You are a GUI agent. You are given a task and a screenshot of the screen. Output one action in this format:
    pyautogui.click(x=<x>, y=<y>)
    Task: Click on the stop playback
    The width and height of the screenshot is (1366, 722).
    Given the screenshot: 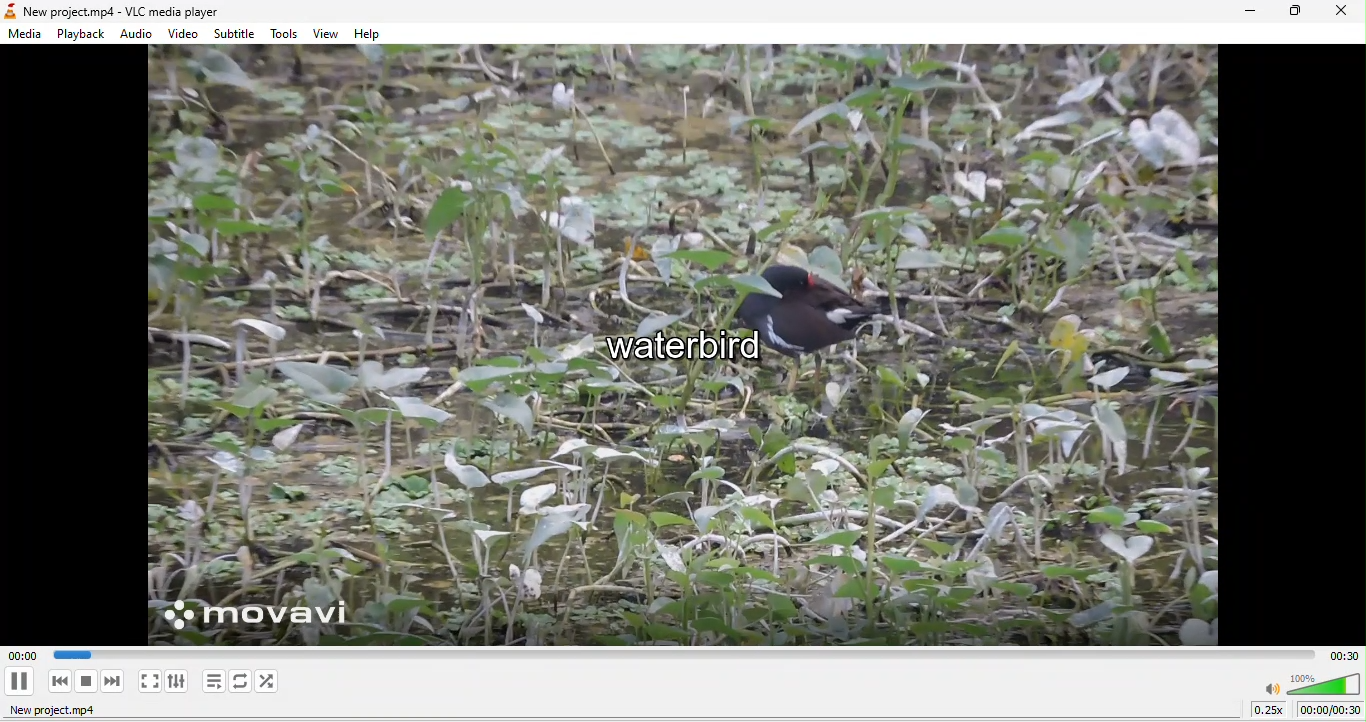 What is the action you would take?
    pyautogui.click(x=87, y=682)
    